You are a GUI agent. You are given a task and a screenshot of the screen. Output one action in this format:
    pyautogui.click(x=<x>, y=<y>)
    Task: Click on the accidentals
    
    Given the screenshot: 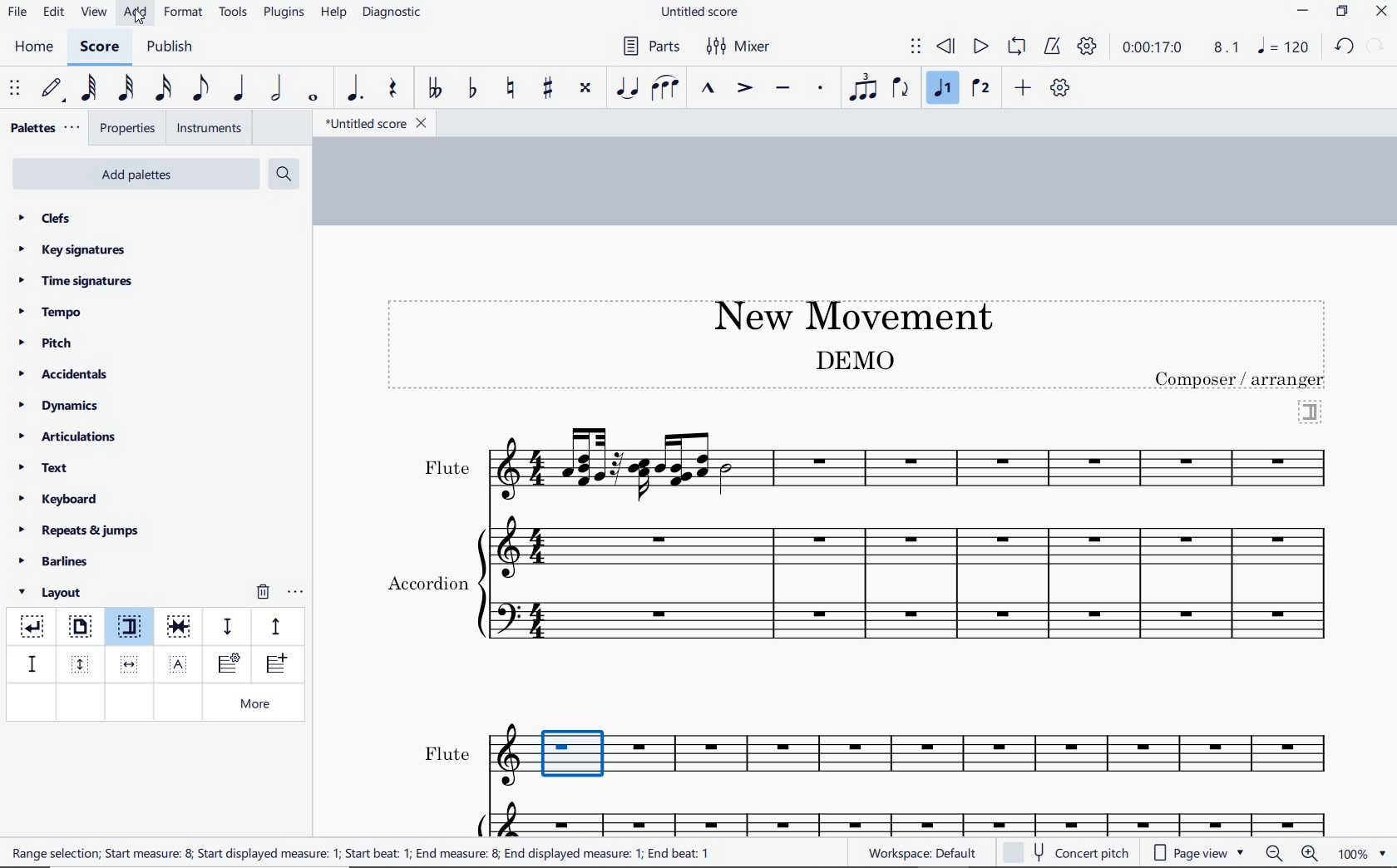 What is the action you would take?
    pyautogui.click(x=66, y=373)
    